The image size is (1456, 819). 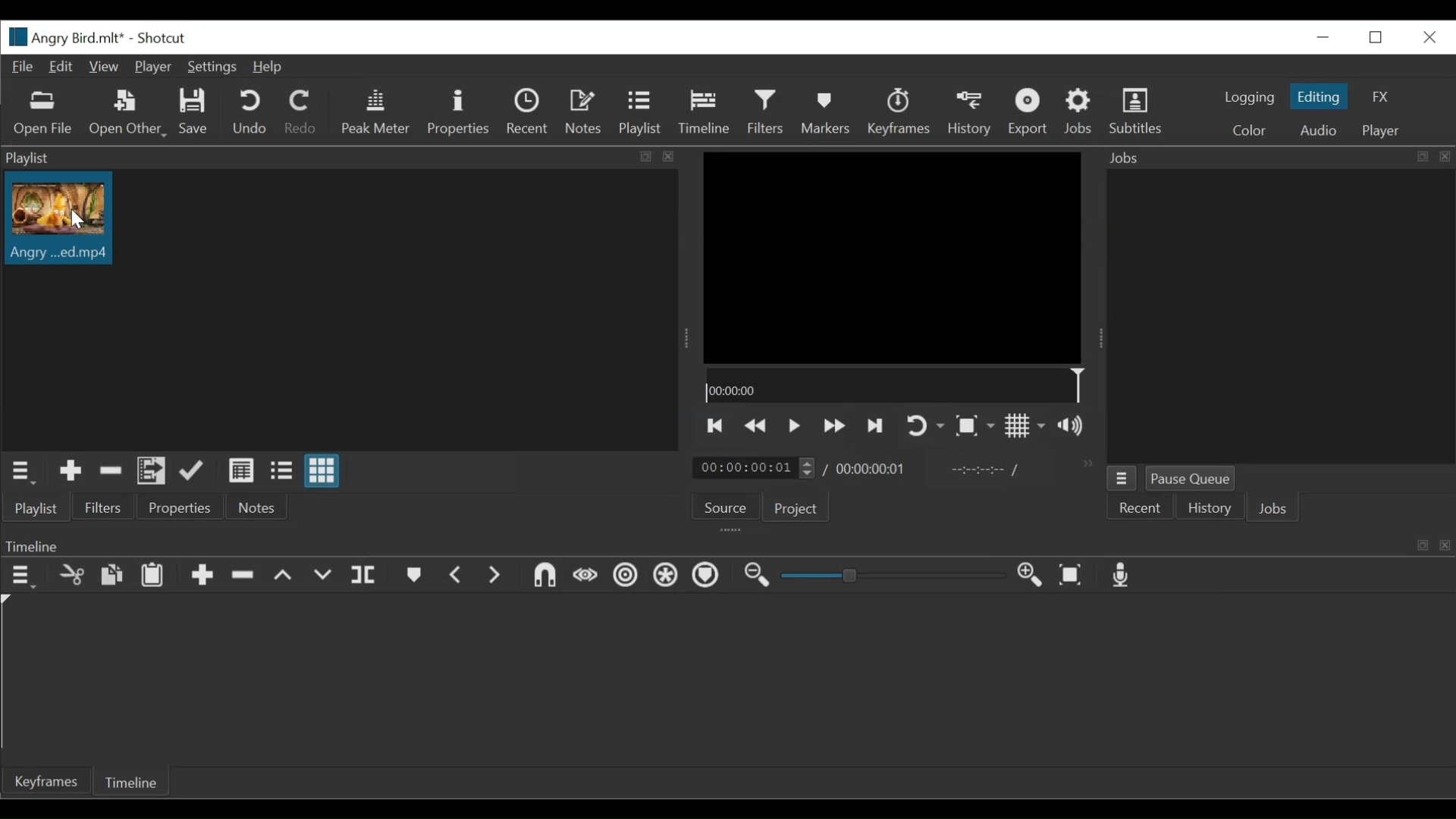 What do you see at coordinates (494, 576) in the screenshot?
I see `Next Marker` at bounding box center [494, 576].